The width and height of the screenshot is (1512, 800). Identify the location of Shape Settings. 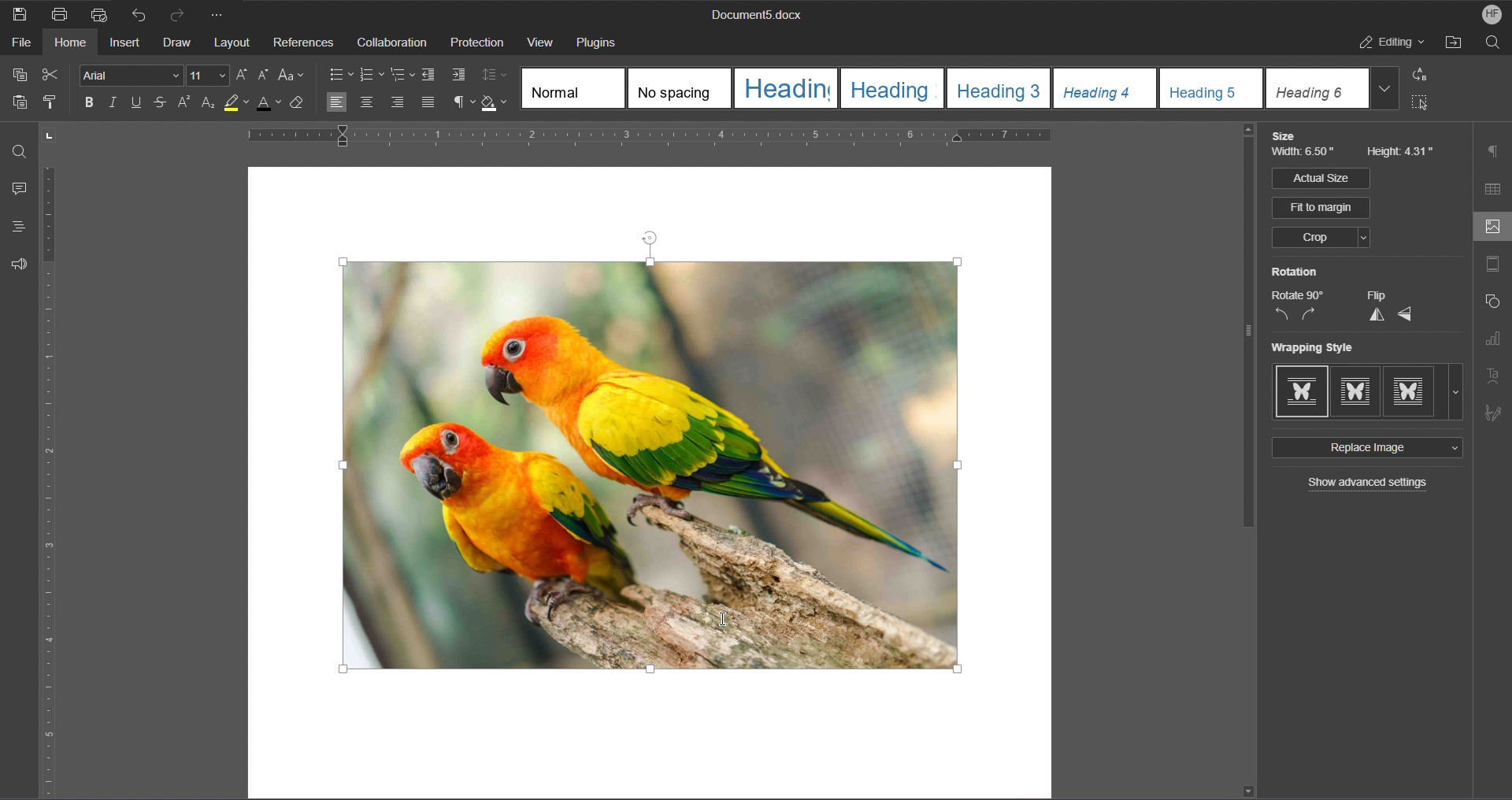
(1492, 305).